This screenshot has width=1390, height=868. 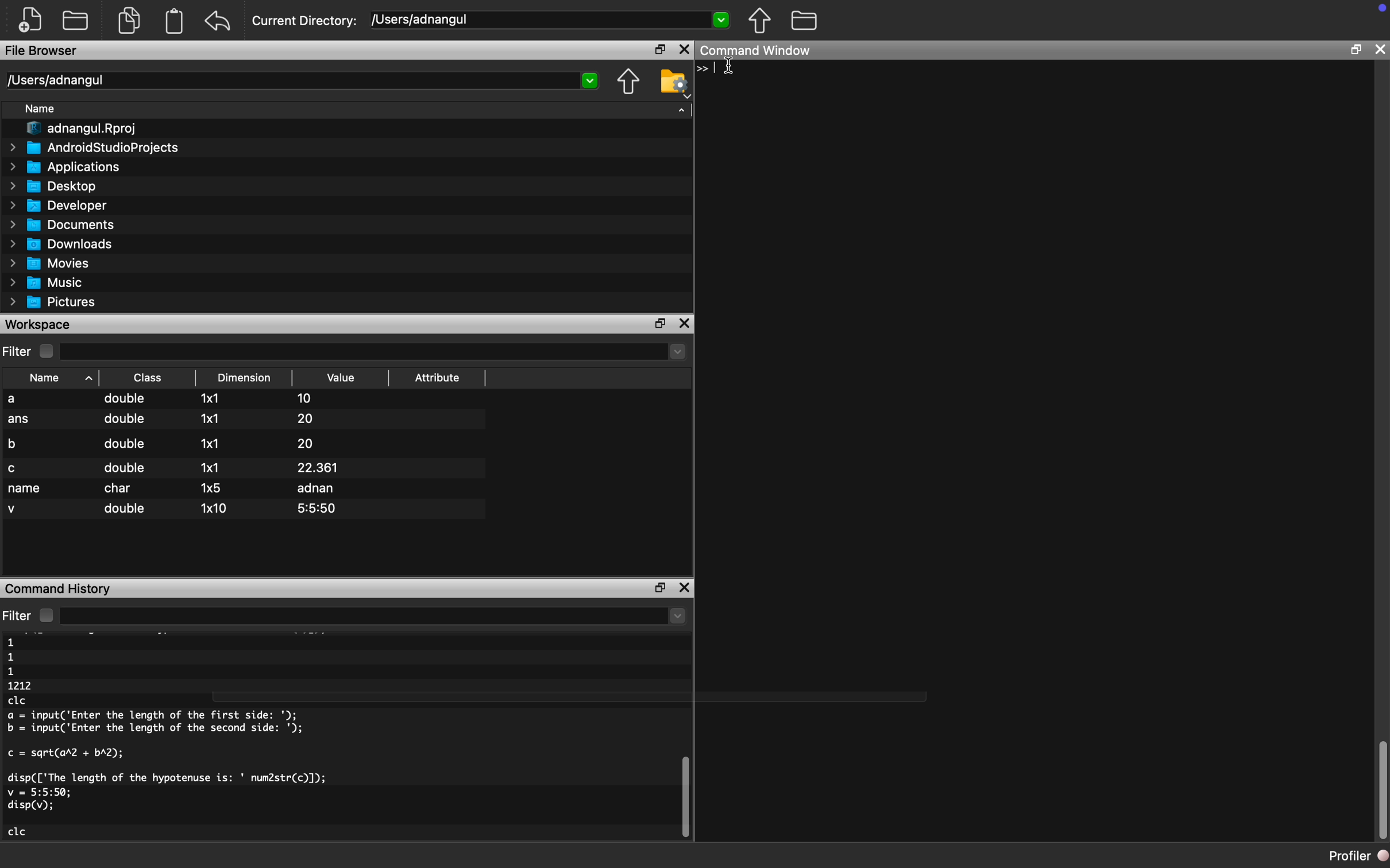 I want to click on dropdown, so click(x=678, y=617).